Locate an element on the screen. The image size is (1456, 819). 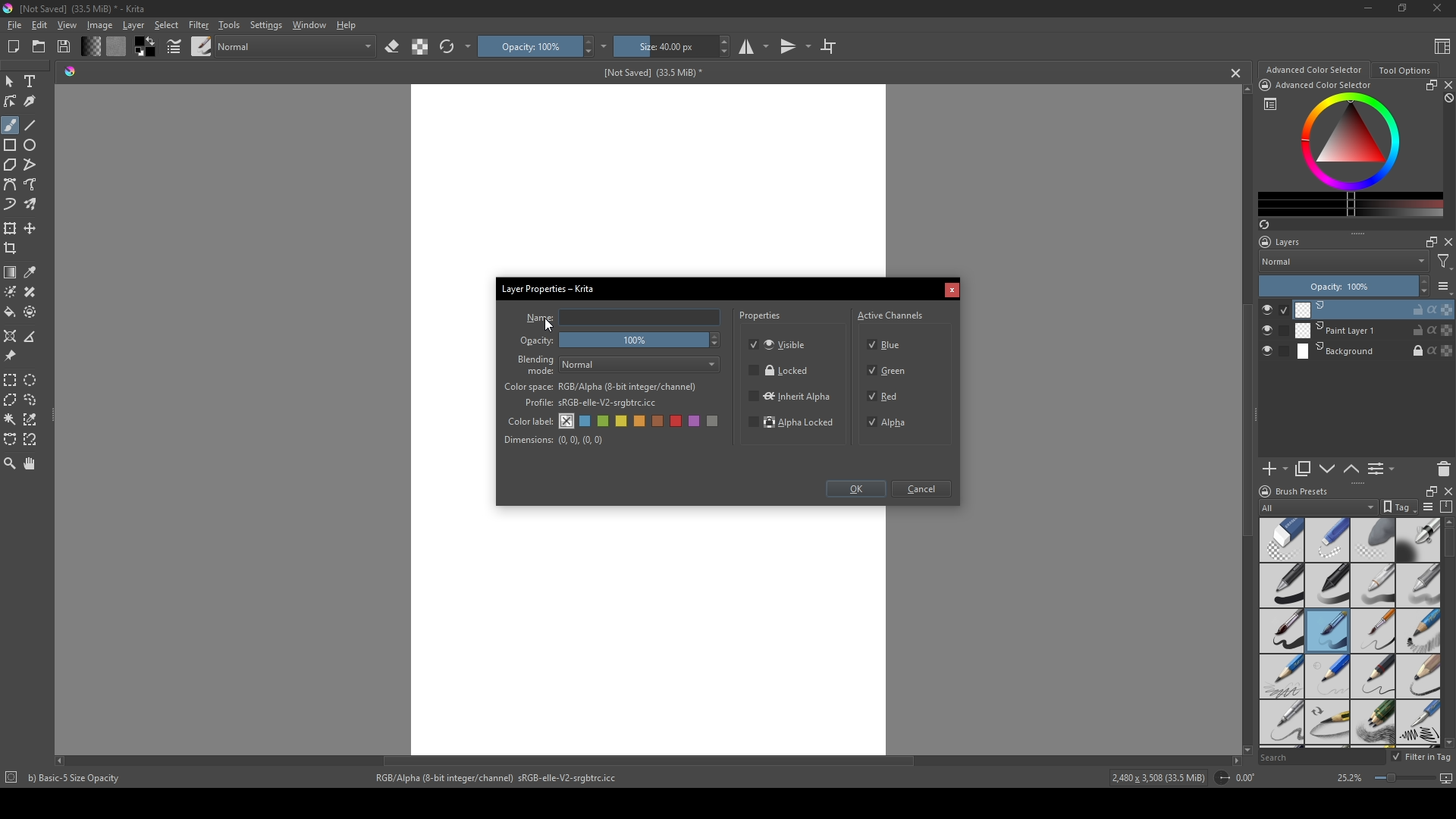
icon is located at coordinates (1264, 85).